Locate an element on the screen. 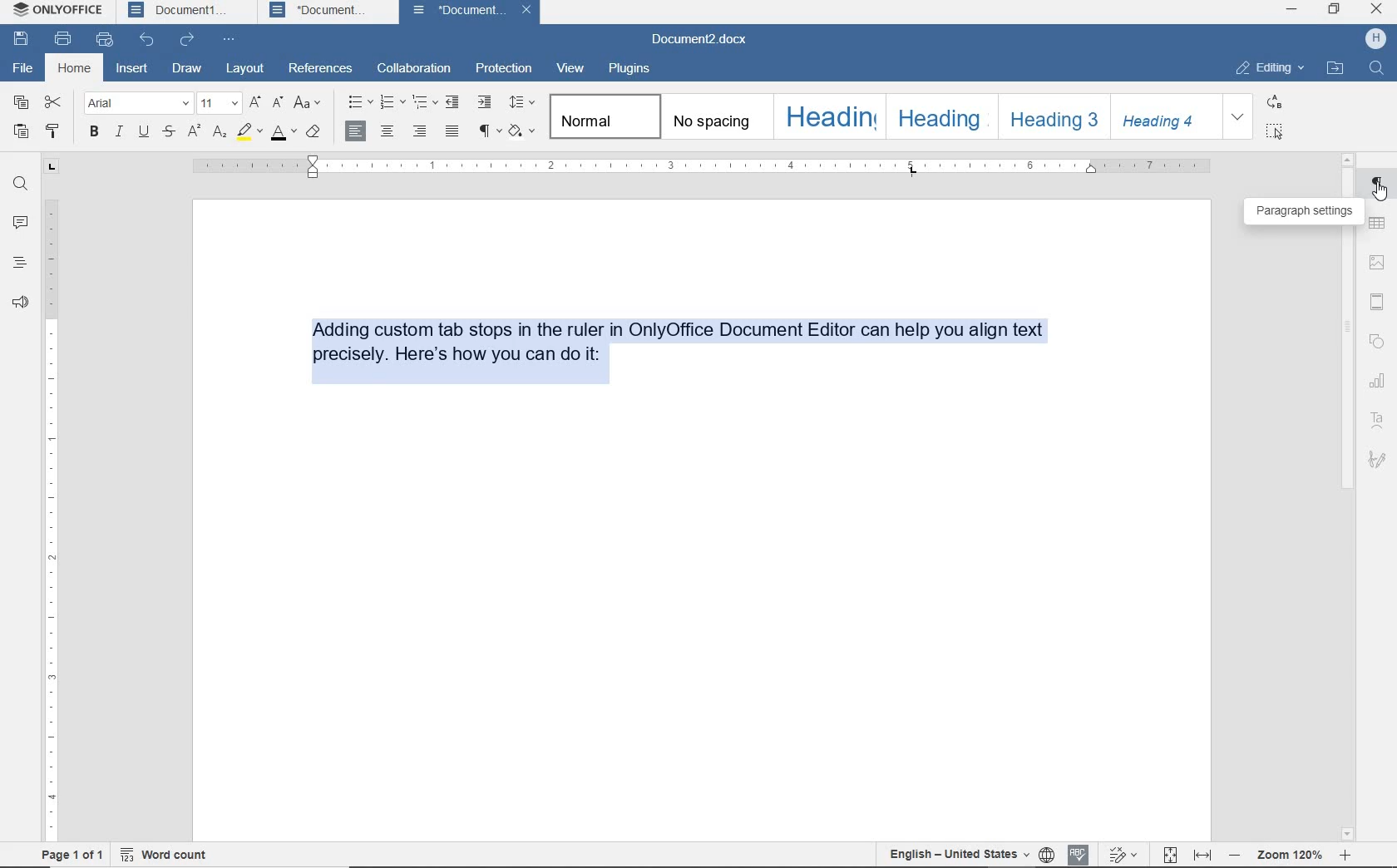 This screenshot has height=868, width=1397. heading 4 is located at coordinates (1167, 117).